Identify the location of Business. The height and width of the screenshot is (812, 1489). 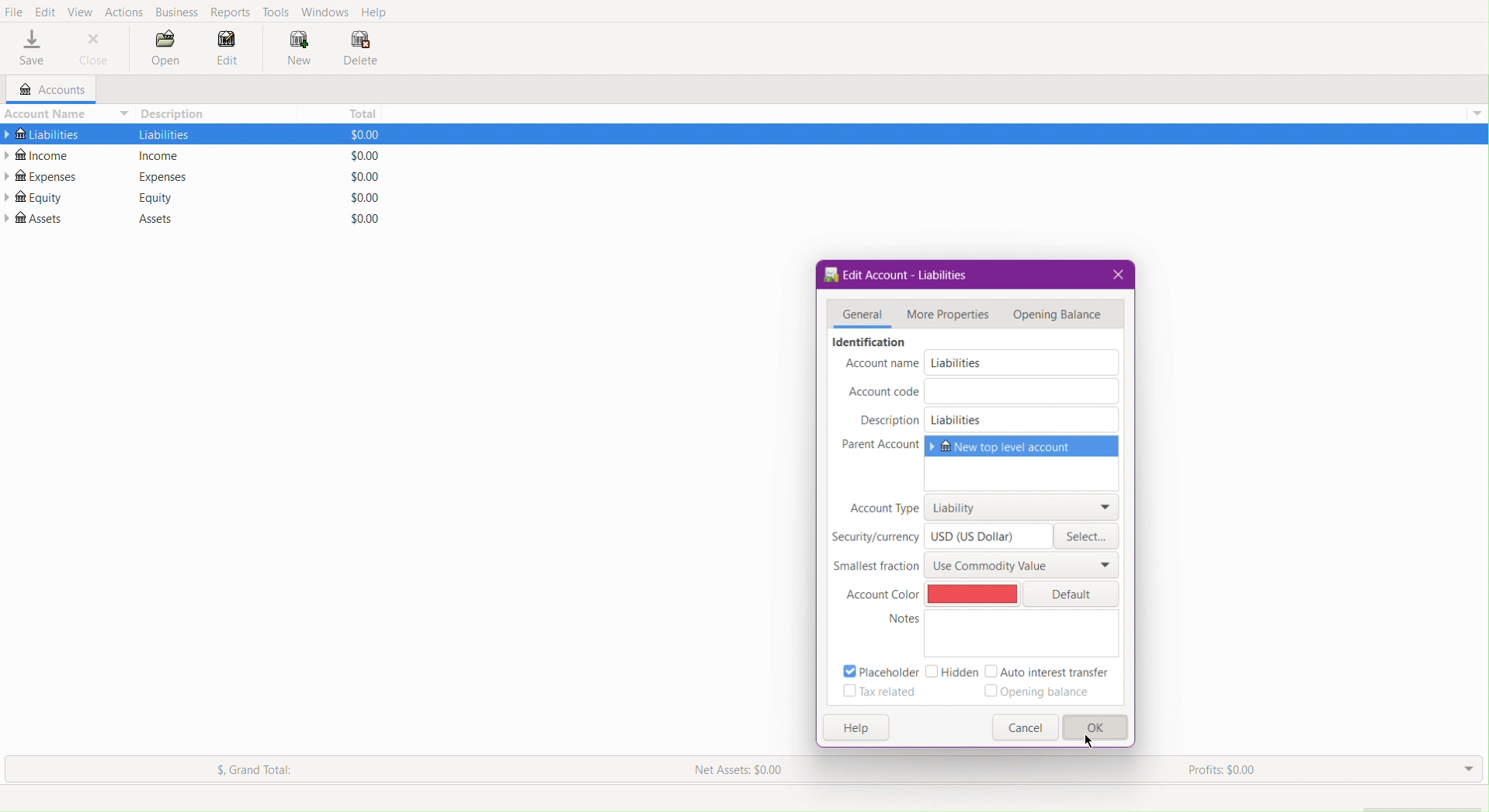
(177, 12).